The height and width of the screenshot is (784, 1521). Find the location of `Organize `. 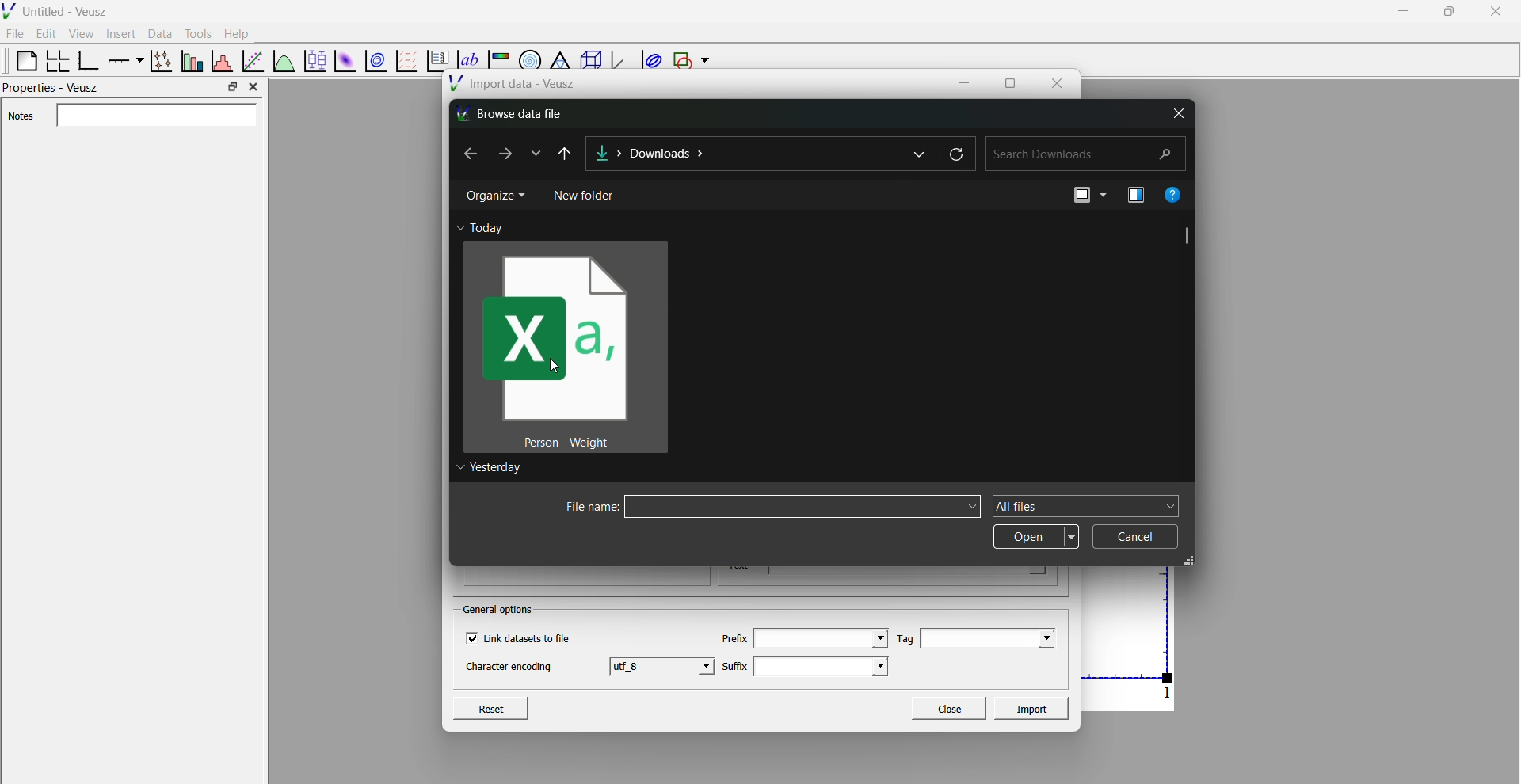

Organize  is located at coordinates (494, 198).